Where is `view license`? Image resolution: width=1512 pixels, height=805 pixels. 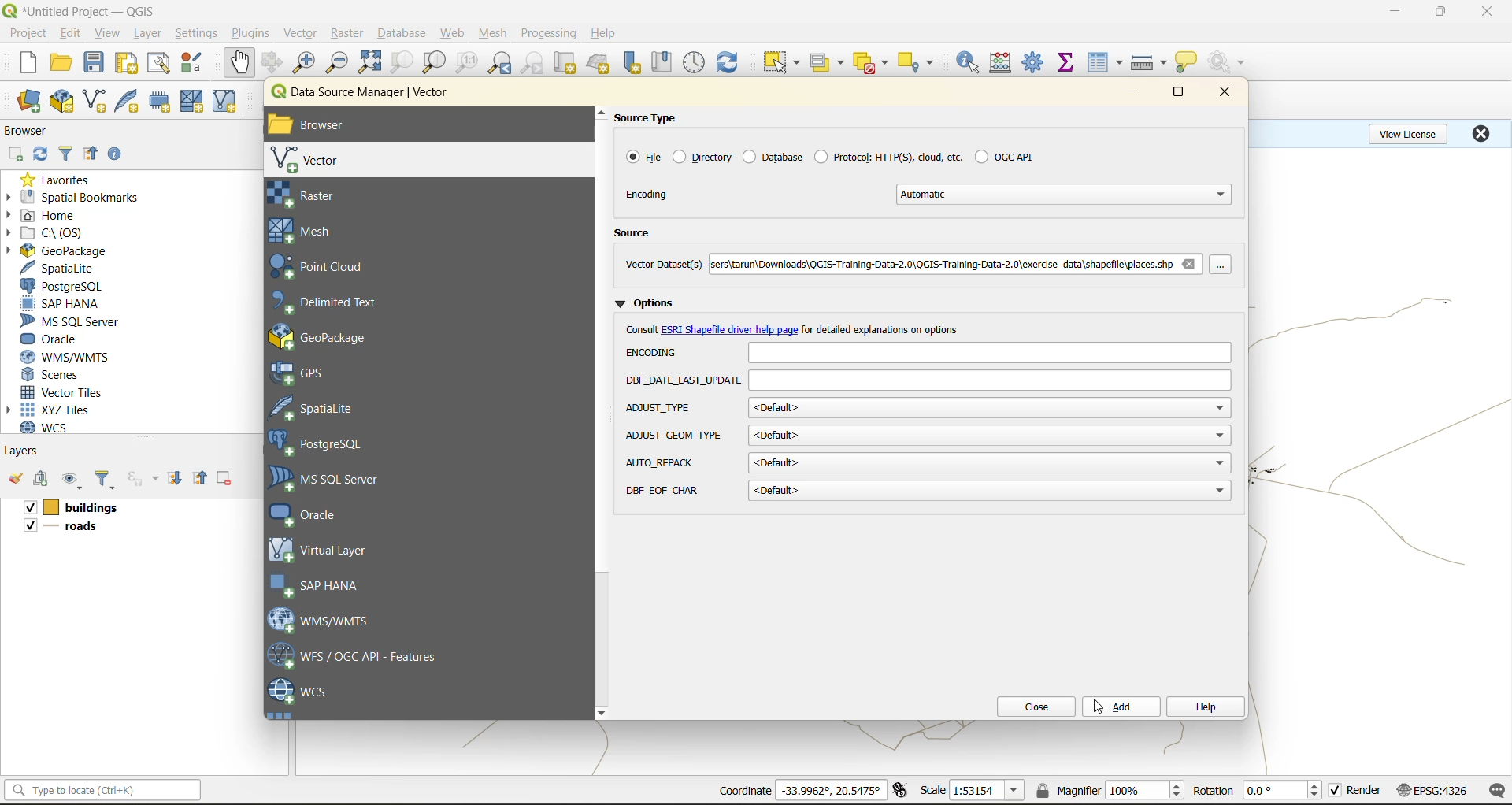 view license is located at coordinates (1411, 132).